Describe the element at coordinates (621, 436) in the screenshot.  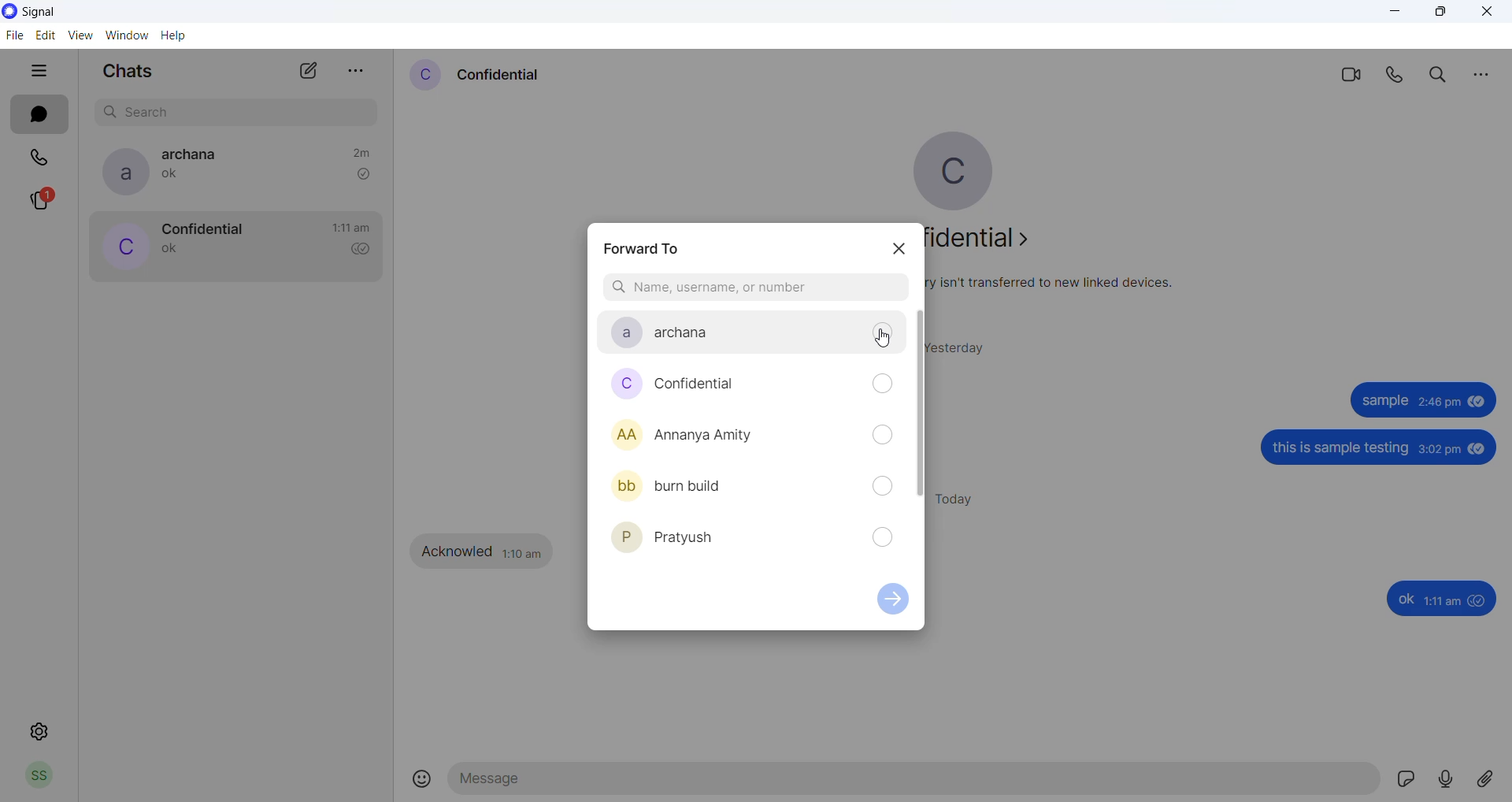
I see `profile pictures` at that location.